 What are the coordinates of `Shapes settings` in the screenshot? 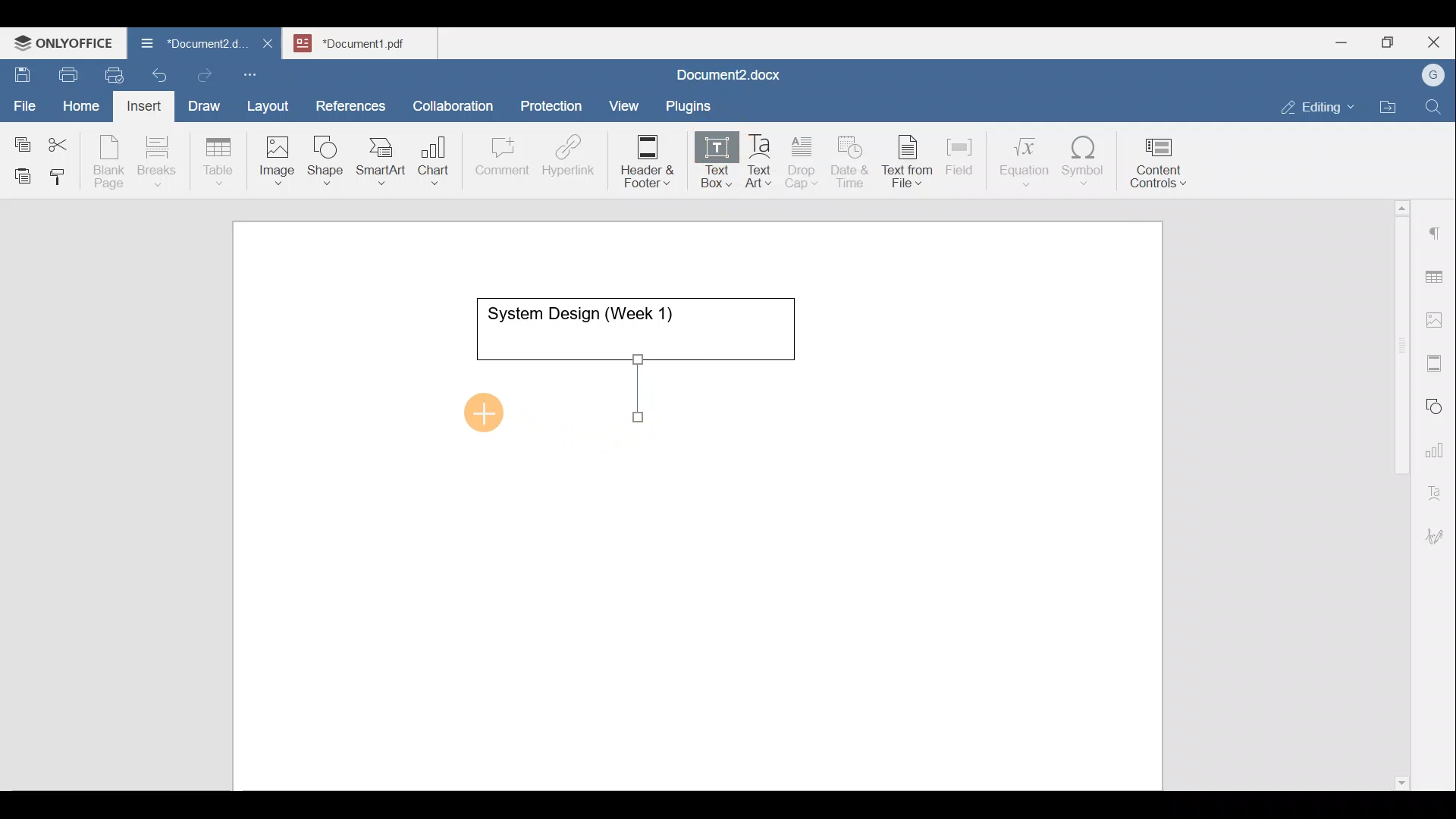 It's located at (1437, 404).